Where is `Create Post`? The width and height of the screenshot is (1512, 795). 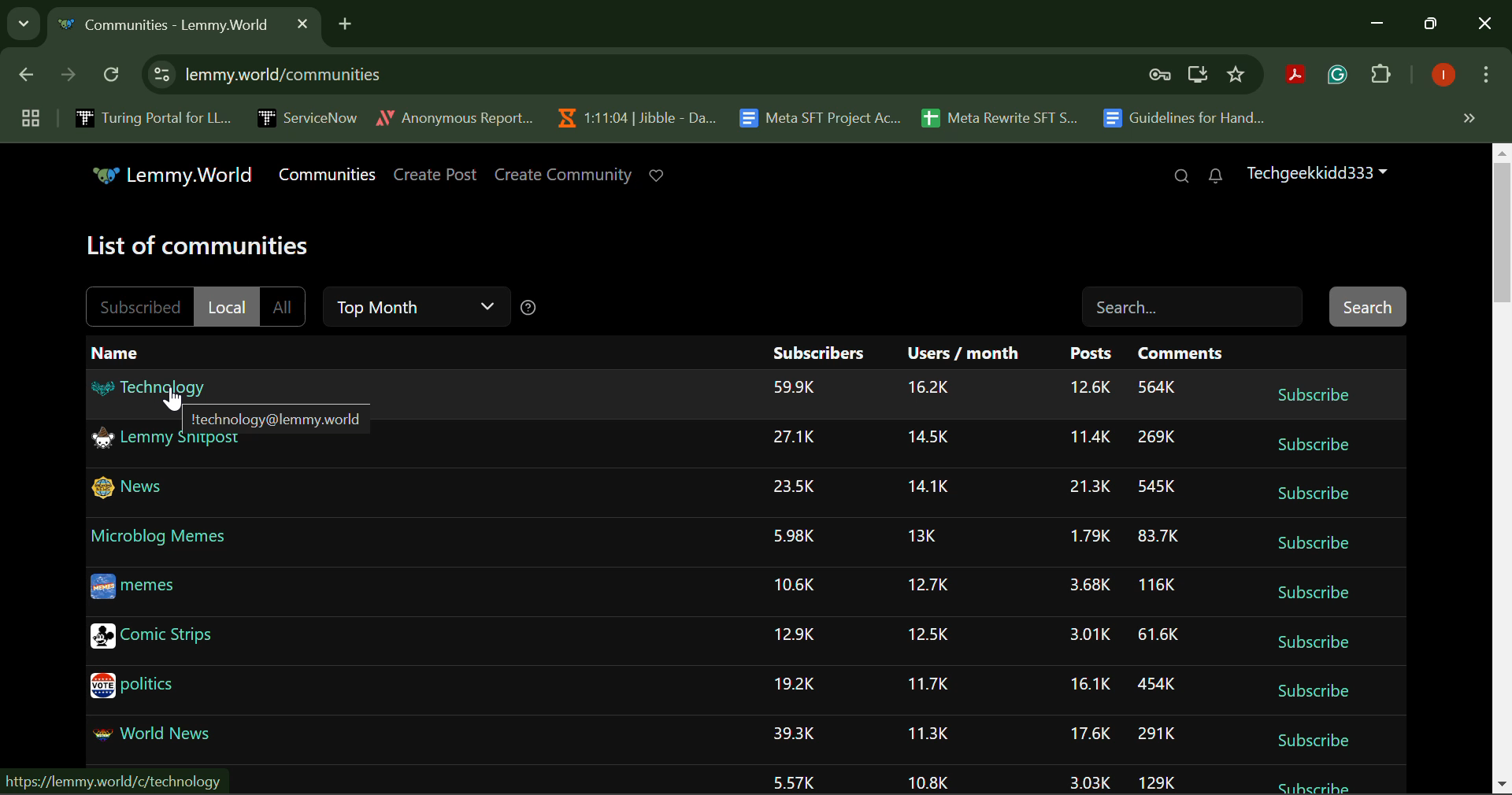 Create Post is located at coordinates (436, 176).